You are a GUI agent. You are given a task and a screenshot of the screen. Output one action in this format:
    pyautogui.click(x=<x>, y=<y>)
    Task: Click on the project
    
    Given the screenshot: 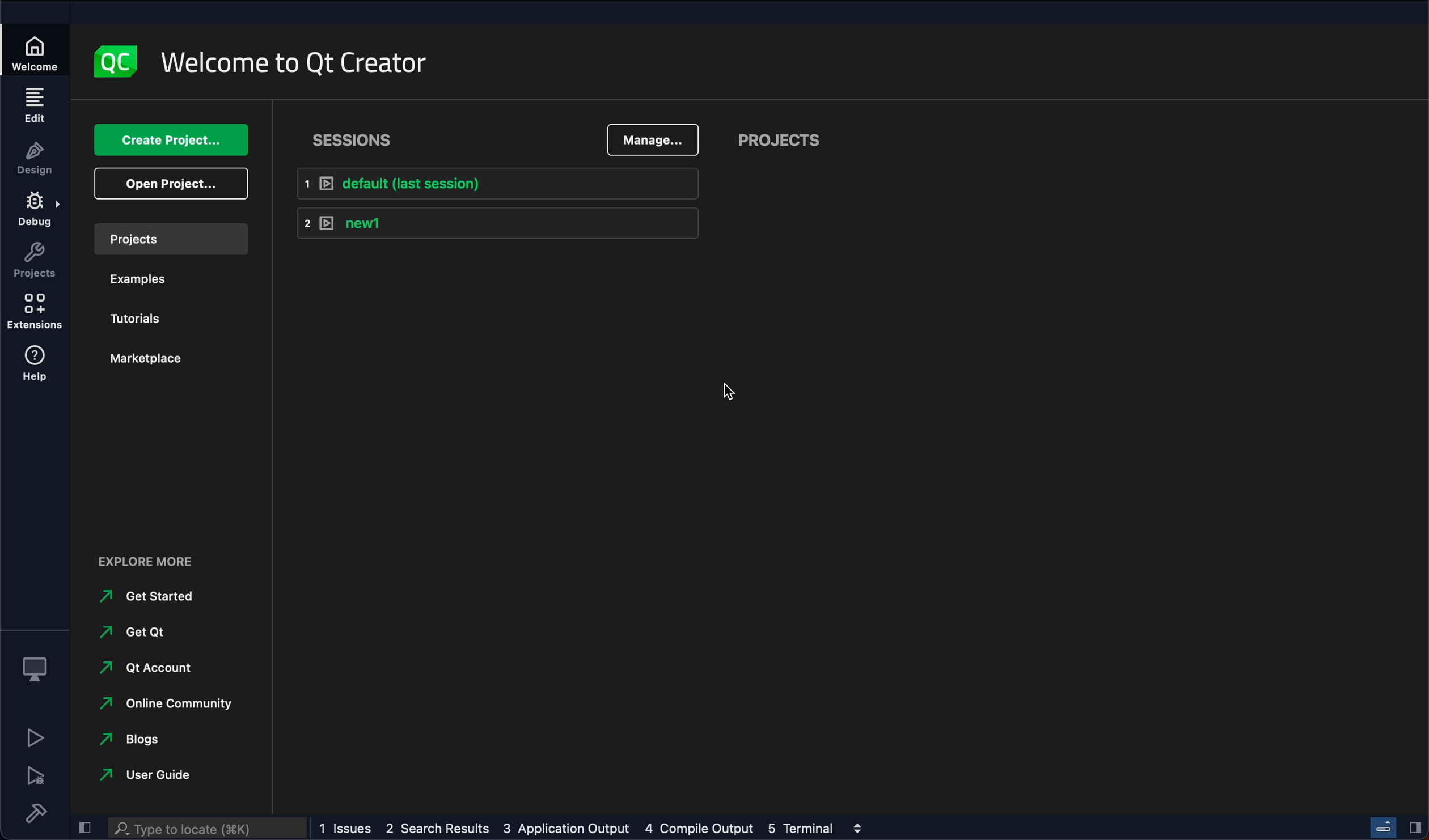 What is the action you would take?
    pyautogui.click(x=790, y=137)
    